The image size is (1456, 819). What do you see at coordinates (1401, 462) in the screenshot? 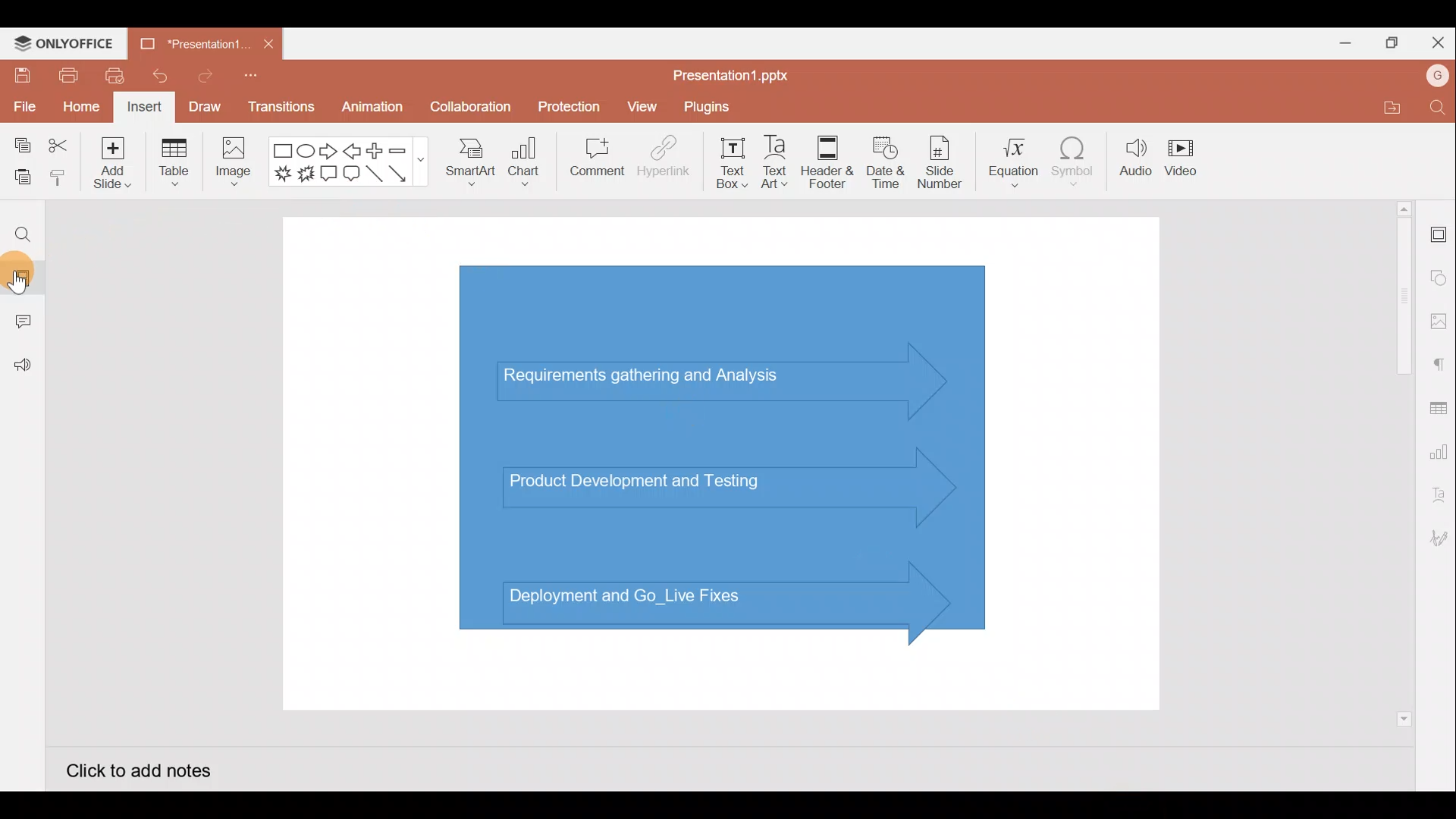
I see `Vertical scroll bar` at bounding box center [1401, 462].